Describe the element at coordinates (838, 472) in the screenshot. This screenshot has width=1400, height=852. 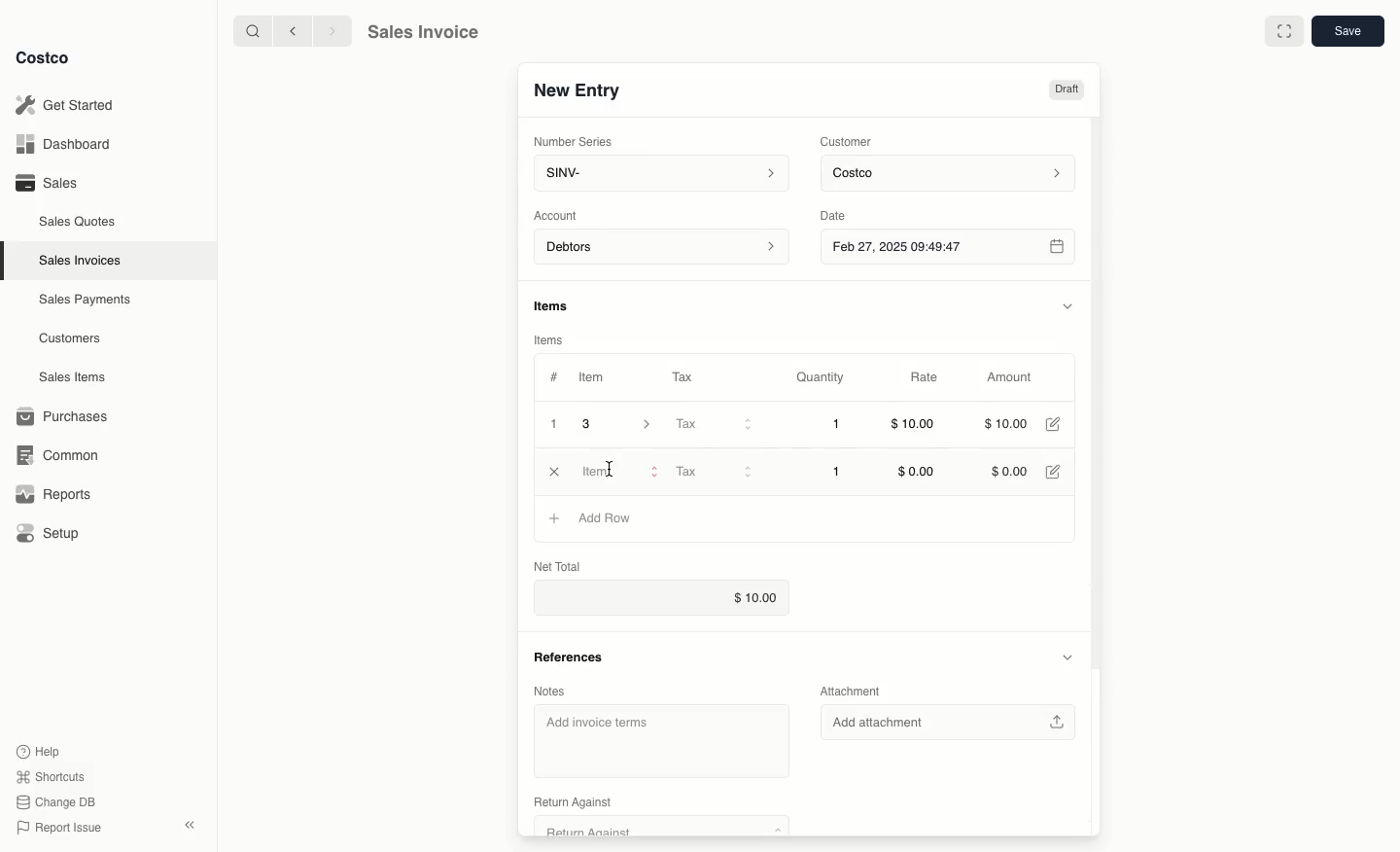
I see `1` at that location.